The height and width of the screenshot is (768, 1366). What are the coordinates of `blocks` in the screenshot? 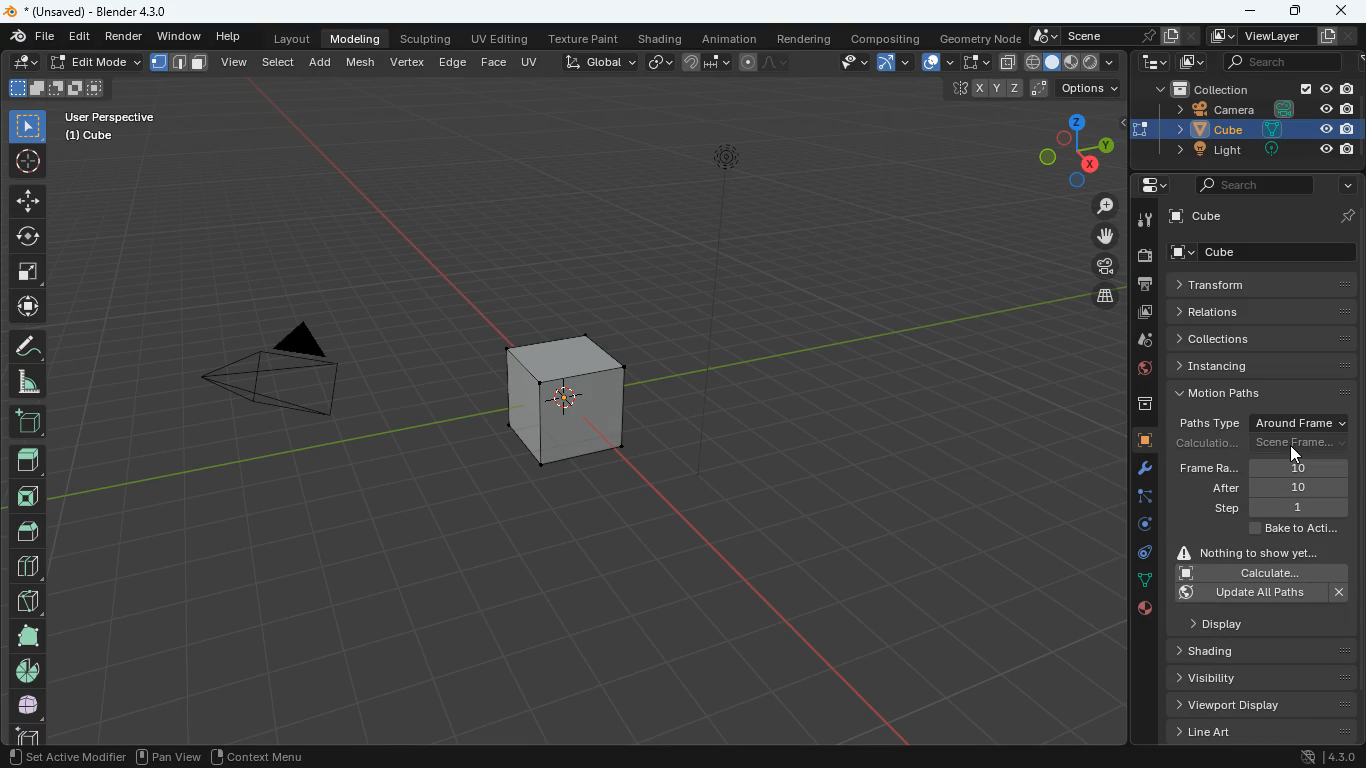 It's located at (26, 568).